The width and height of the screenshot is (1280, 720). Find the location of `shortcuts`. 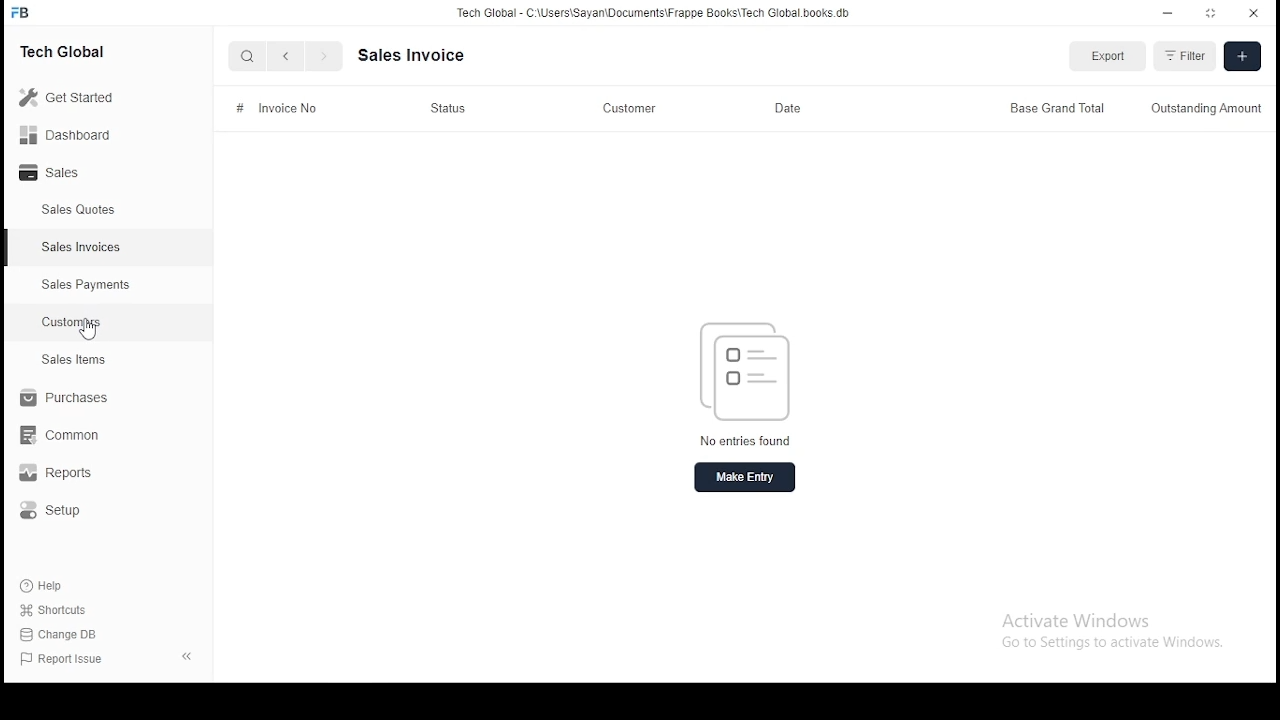

shortcuts is located at coordinates (52, 611).